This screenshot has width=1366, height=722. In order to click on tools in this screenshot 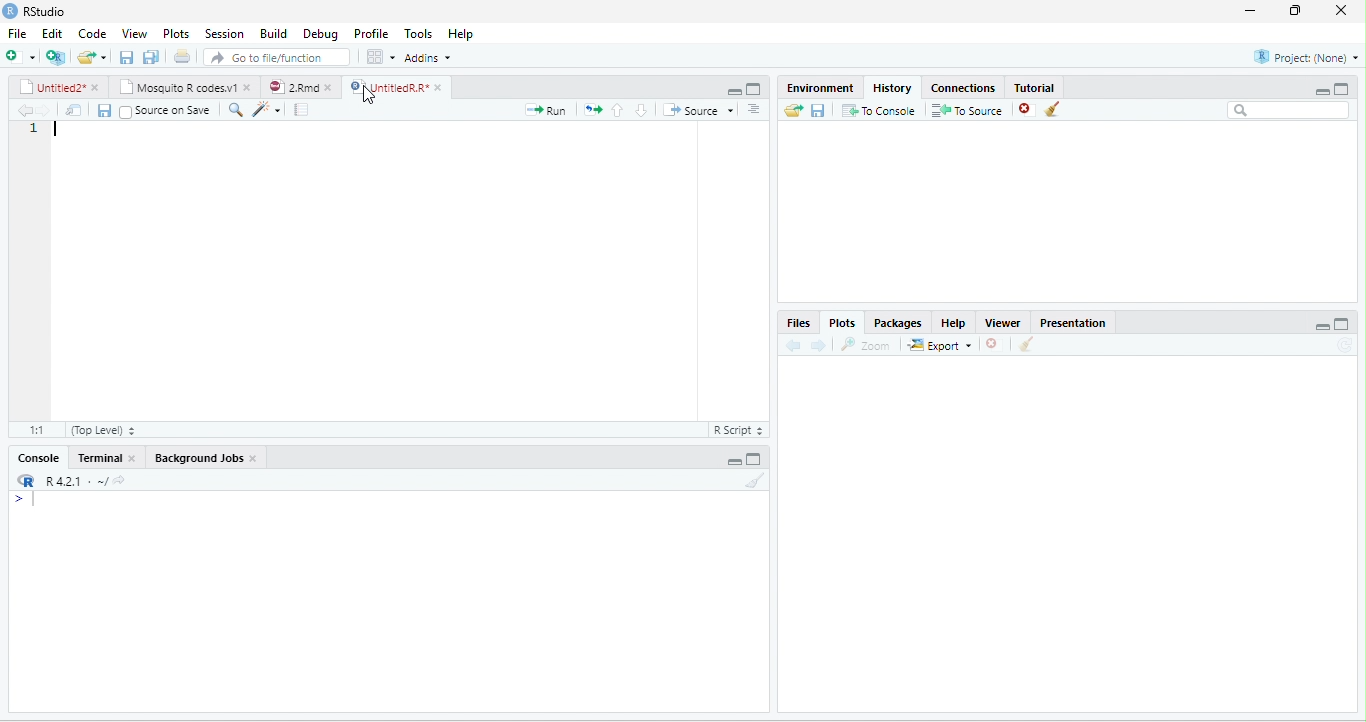, I will do `click(418, 31)`.